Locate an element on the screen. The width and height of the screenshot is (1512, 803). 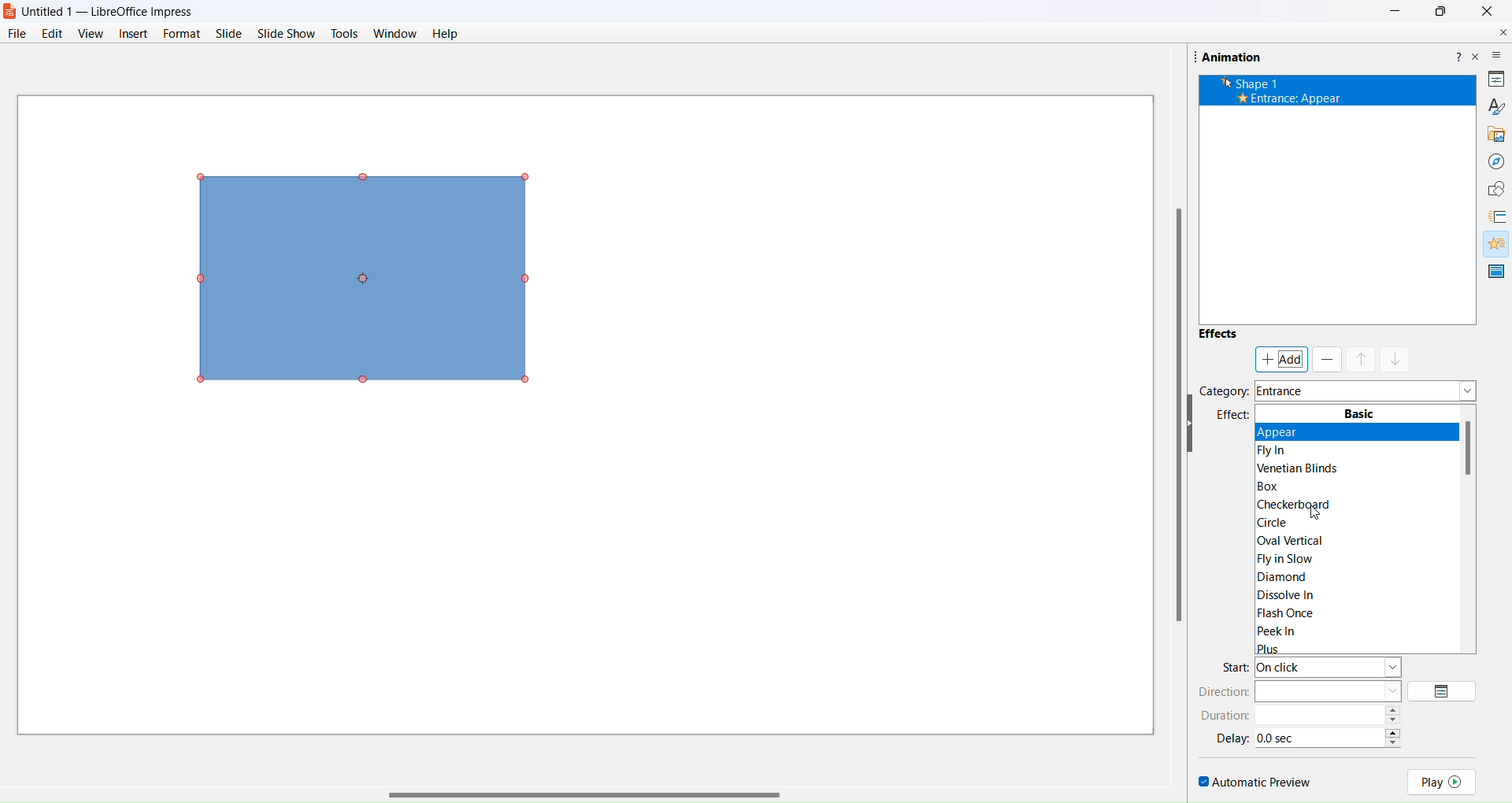
close pane is located at coordinates (1477, 61).